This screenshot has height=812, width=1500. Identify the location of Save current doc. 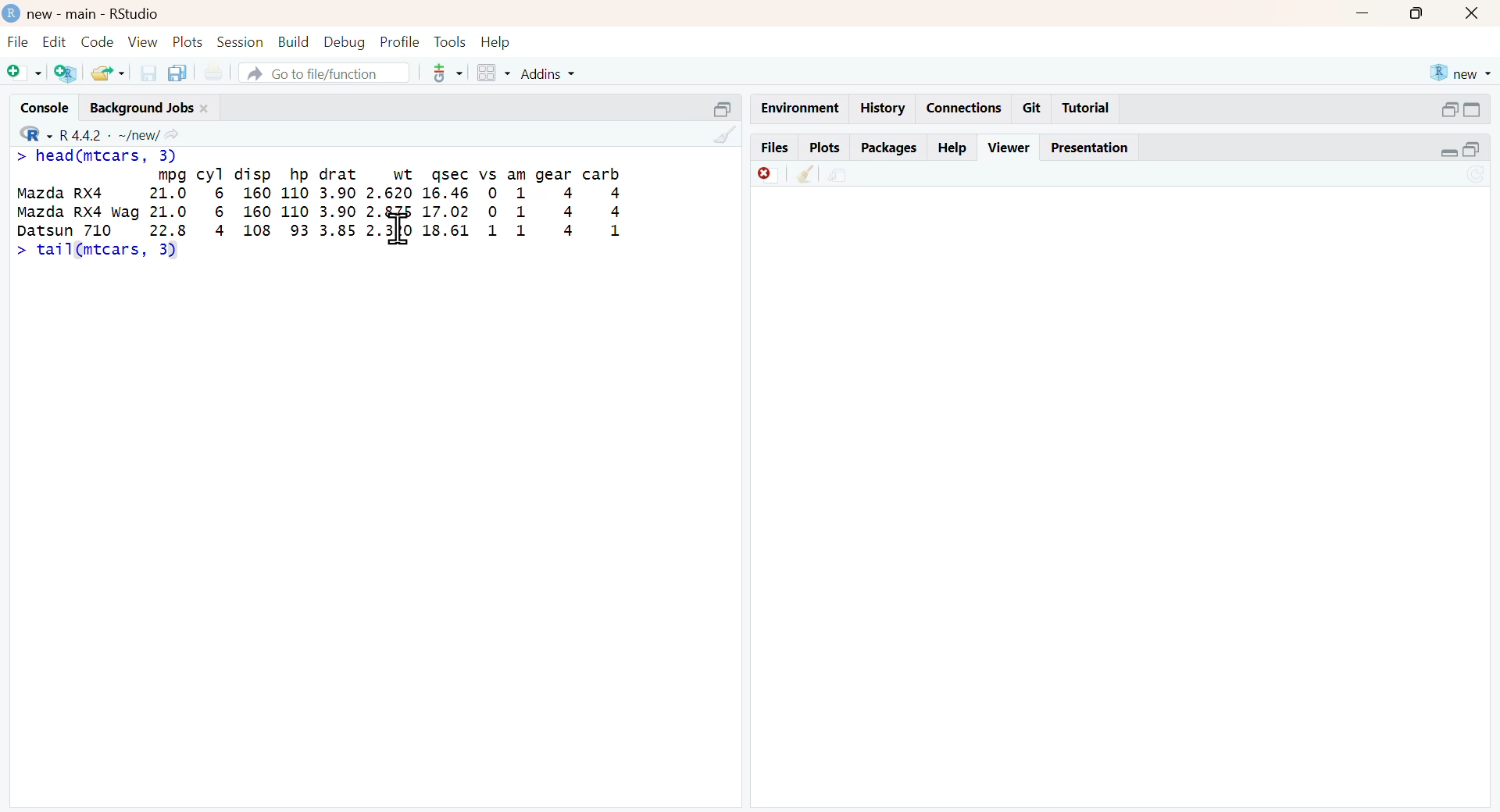
(144, 72).